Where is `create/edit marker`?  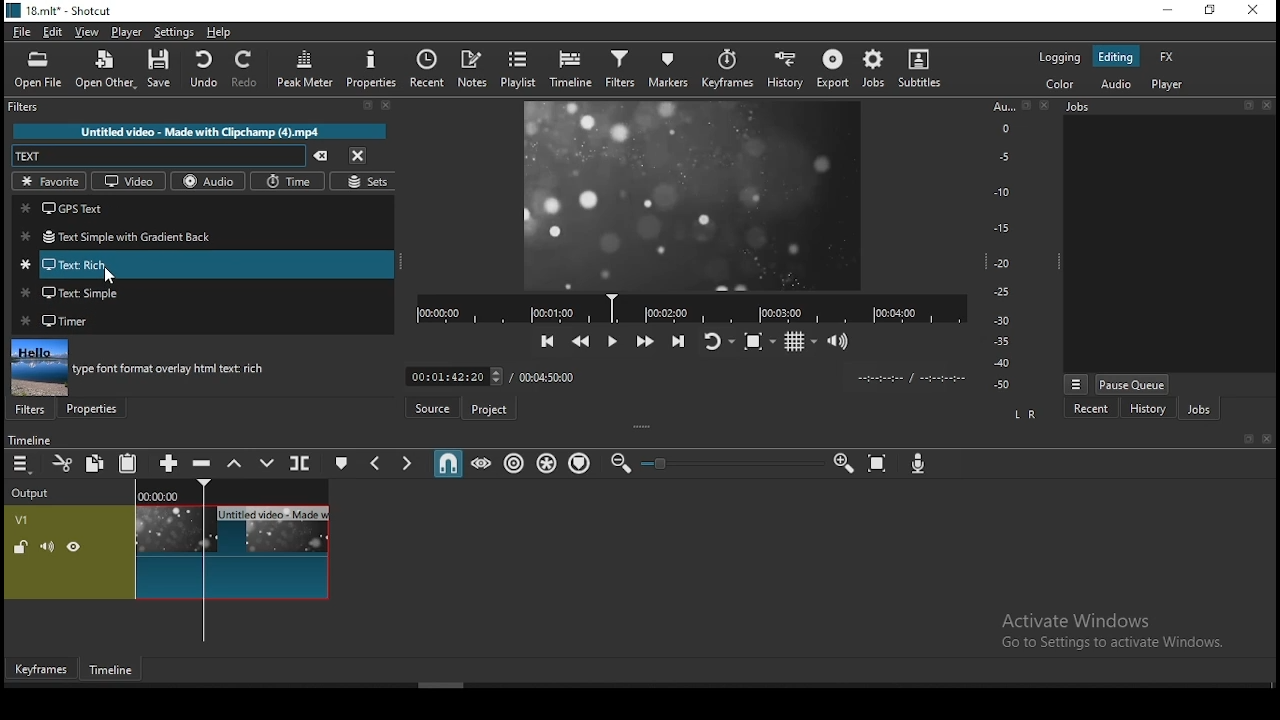
create/edit marker is located at coordinates (339, 462).